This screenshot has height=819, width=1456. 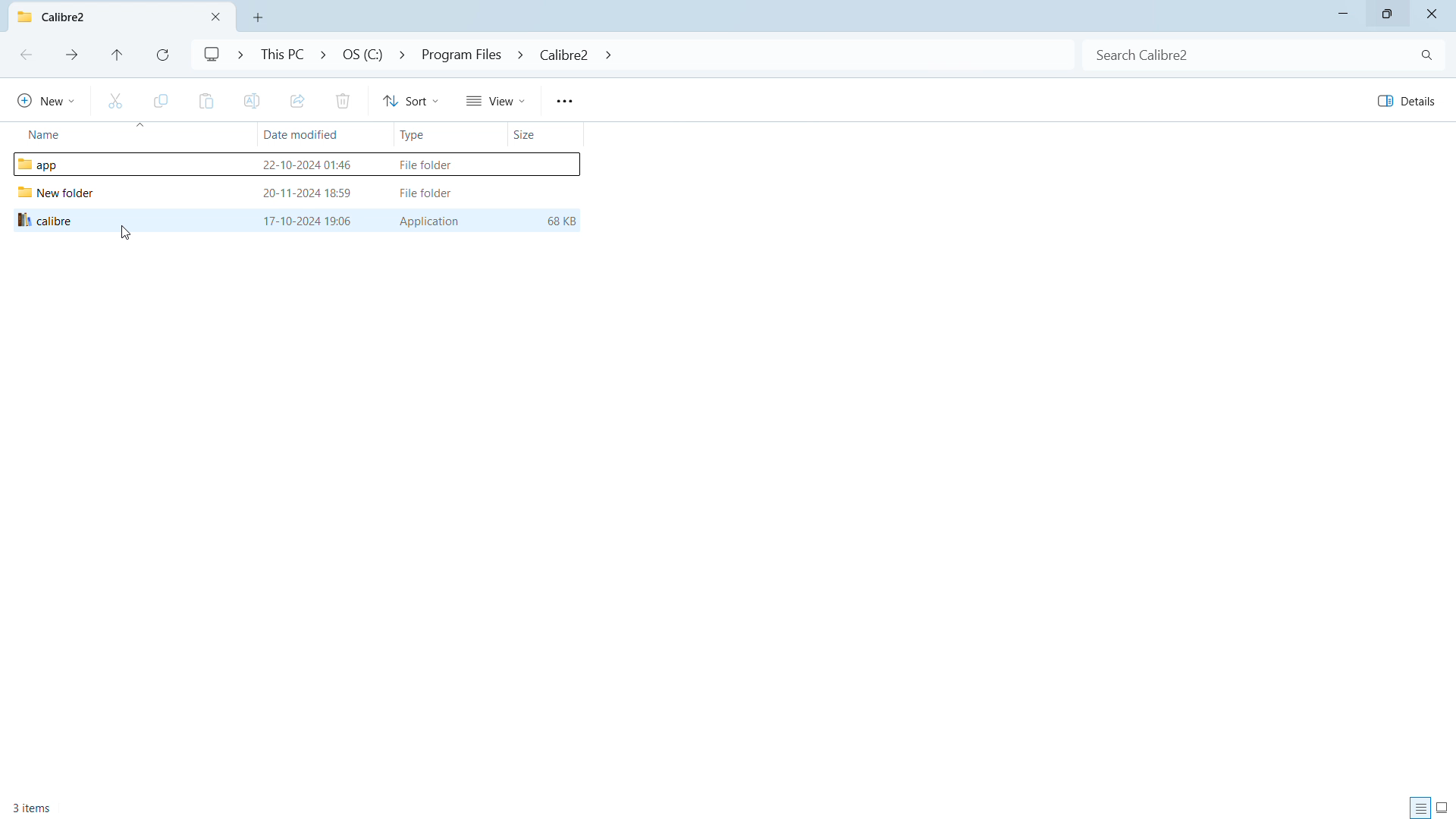 I want to click on sort by name, so click(x=132, y=133).